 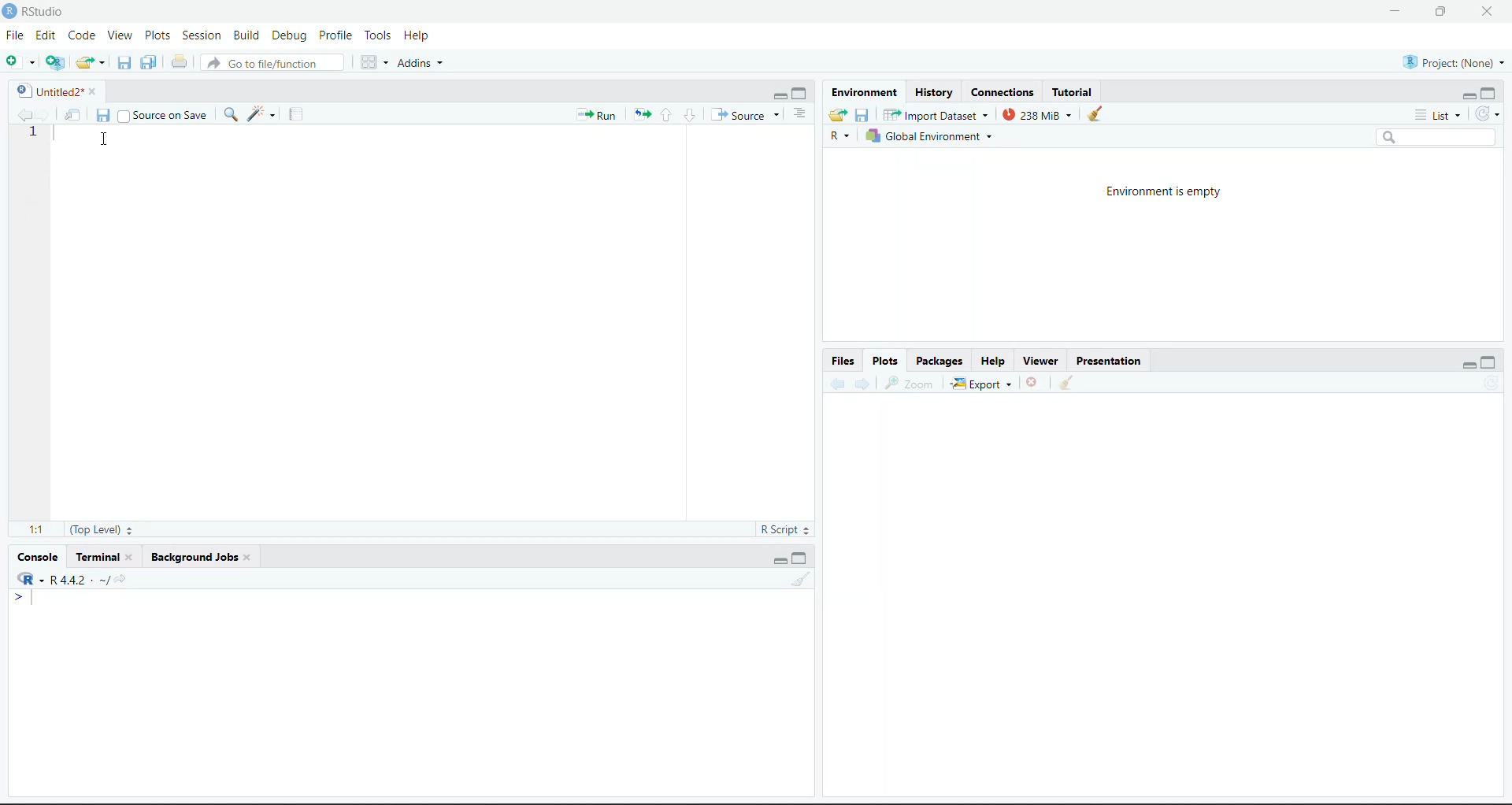 I want to click on Files, so click(x=844, y=361).